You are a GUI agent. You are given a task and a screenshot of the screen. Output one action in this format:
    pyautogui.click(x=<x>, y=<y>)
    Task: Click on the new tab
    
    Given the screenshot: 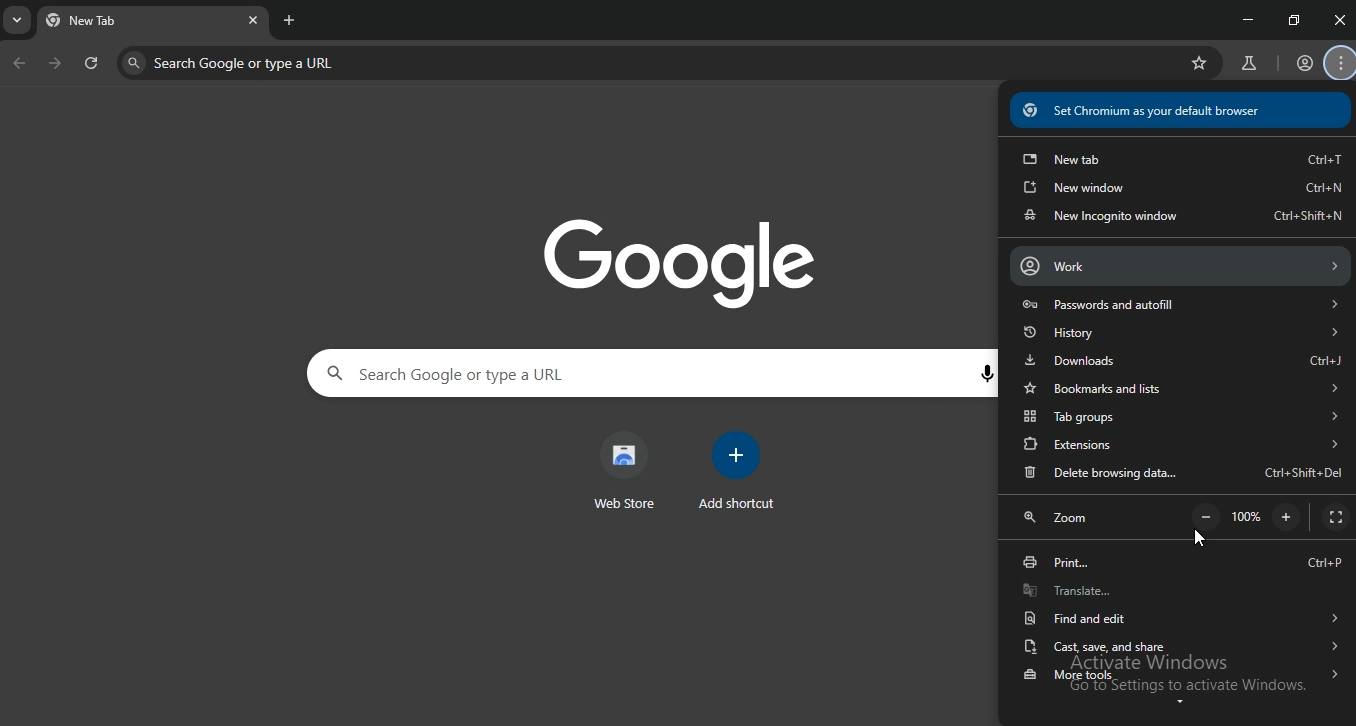 What is the action you would take?
    pyautogui.click(x=290, y=20)
    